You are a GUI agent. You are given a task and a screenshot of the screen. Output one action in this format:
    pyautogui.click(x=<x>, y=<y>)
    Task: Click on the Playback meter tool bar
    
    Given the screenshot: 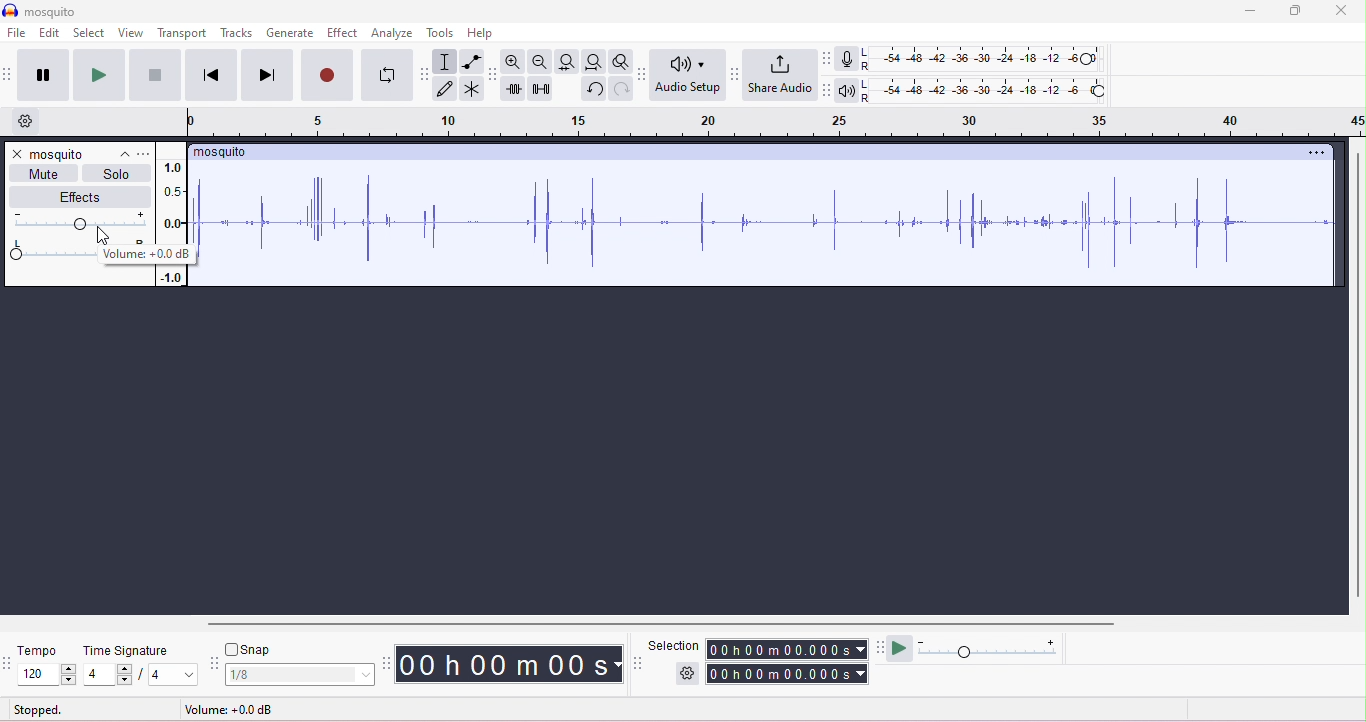 What is the action you would take?
    pyautogui.click(x=825, y=91)
    